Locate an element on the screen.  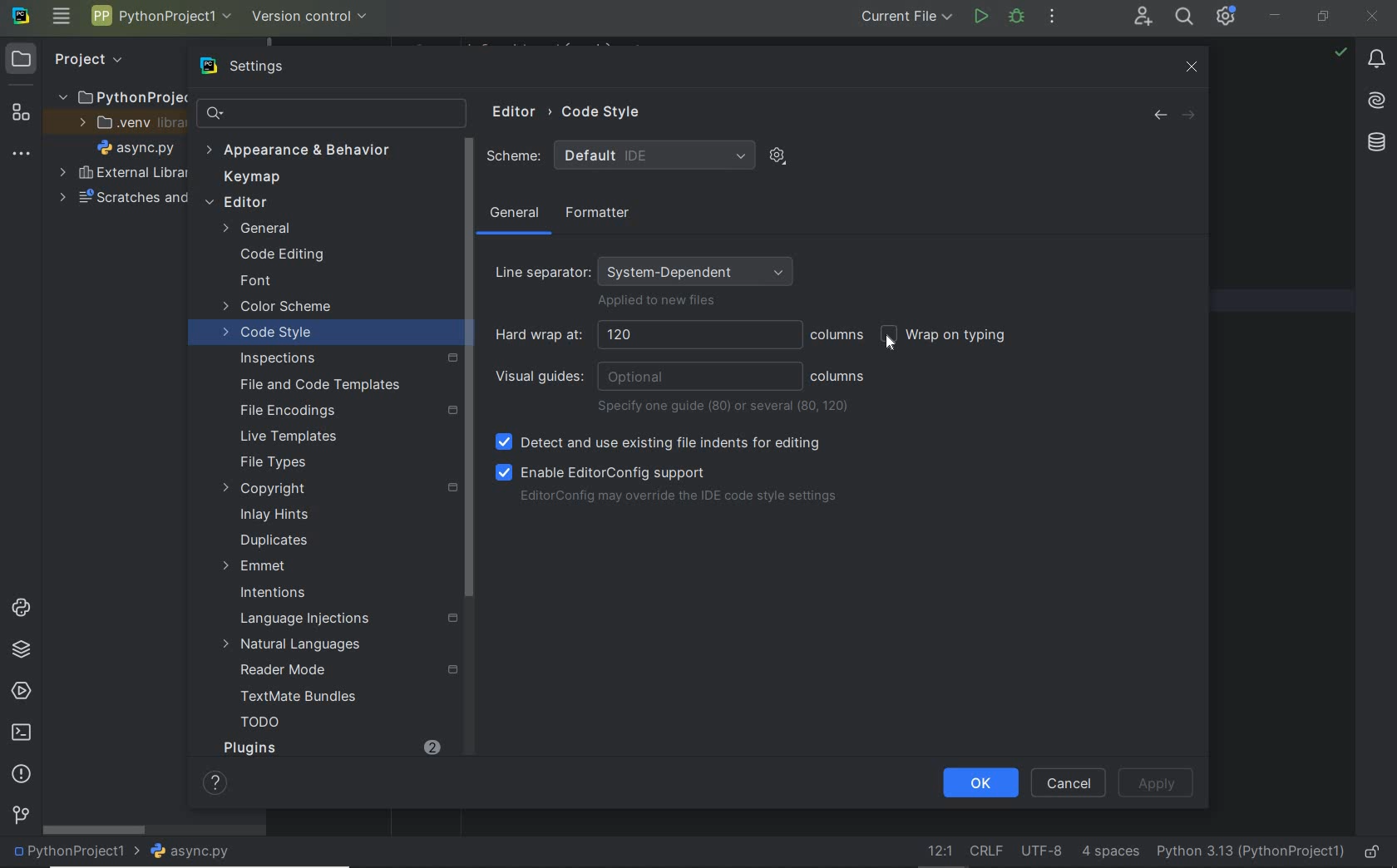
run is located at coordinates (980, 16).